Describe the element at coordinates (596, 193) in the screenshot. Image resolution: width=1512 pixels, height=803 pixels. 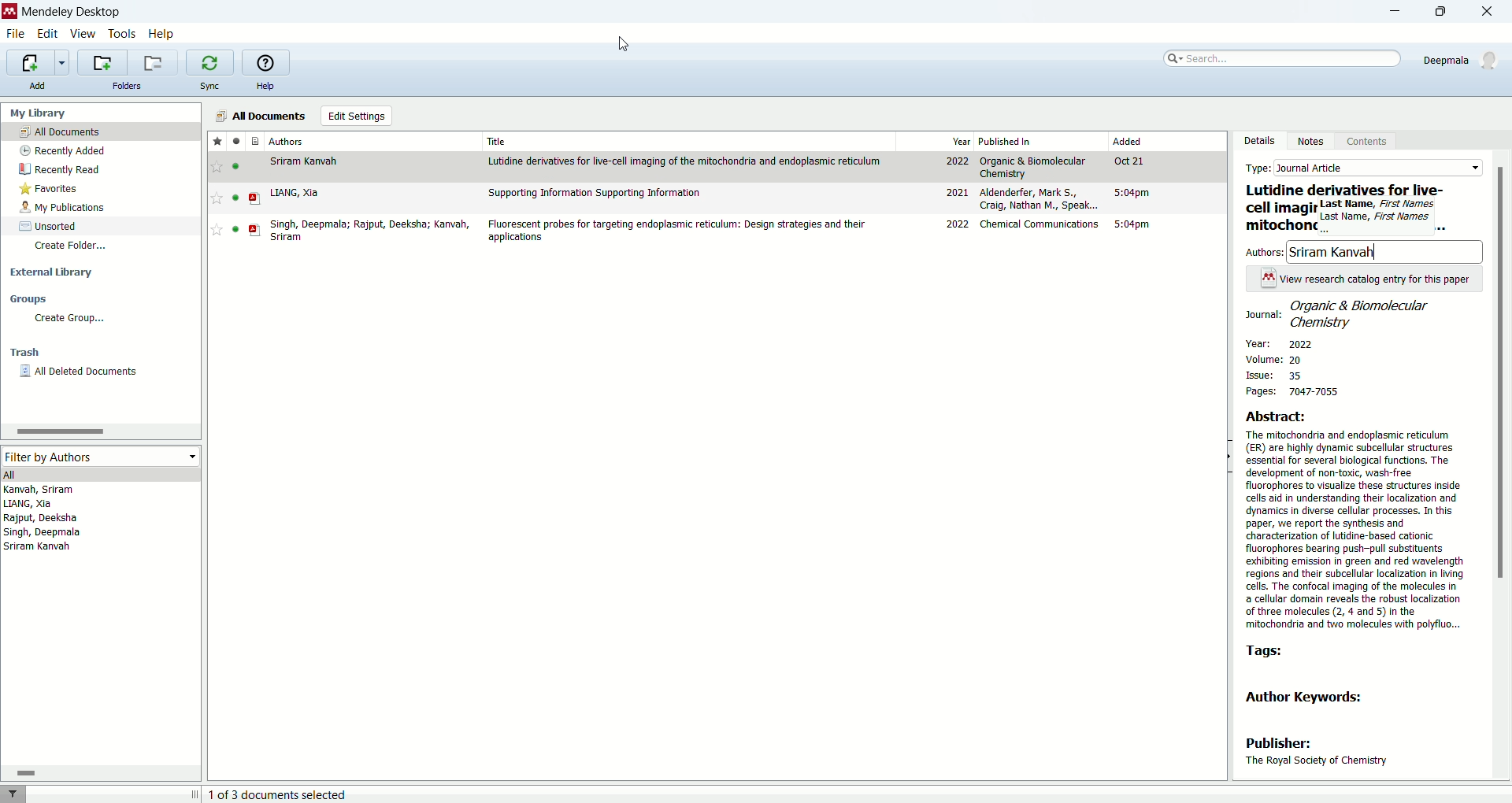
I see `Supporting information Supporting Information` at that location.